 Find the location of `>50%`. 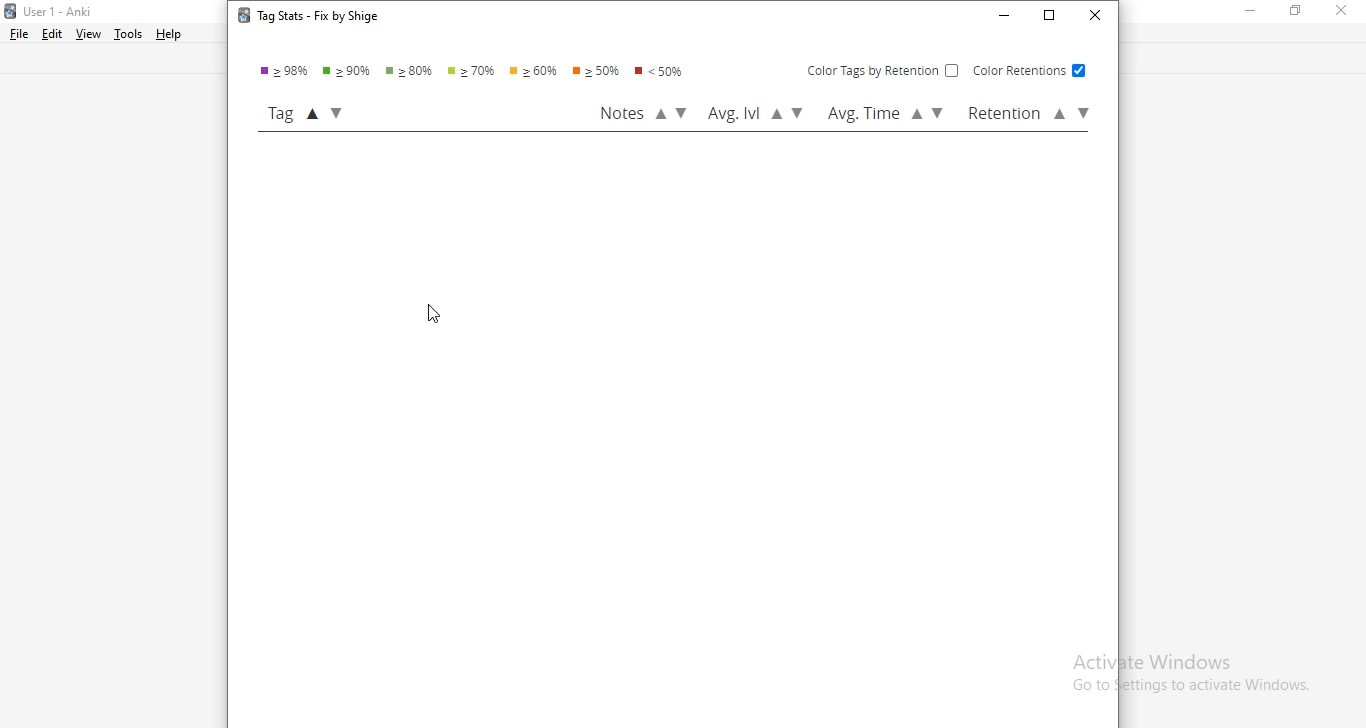

>50% is located at coordinates (598, 71).